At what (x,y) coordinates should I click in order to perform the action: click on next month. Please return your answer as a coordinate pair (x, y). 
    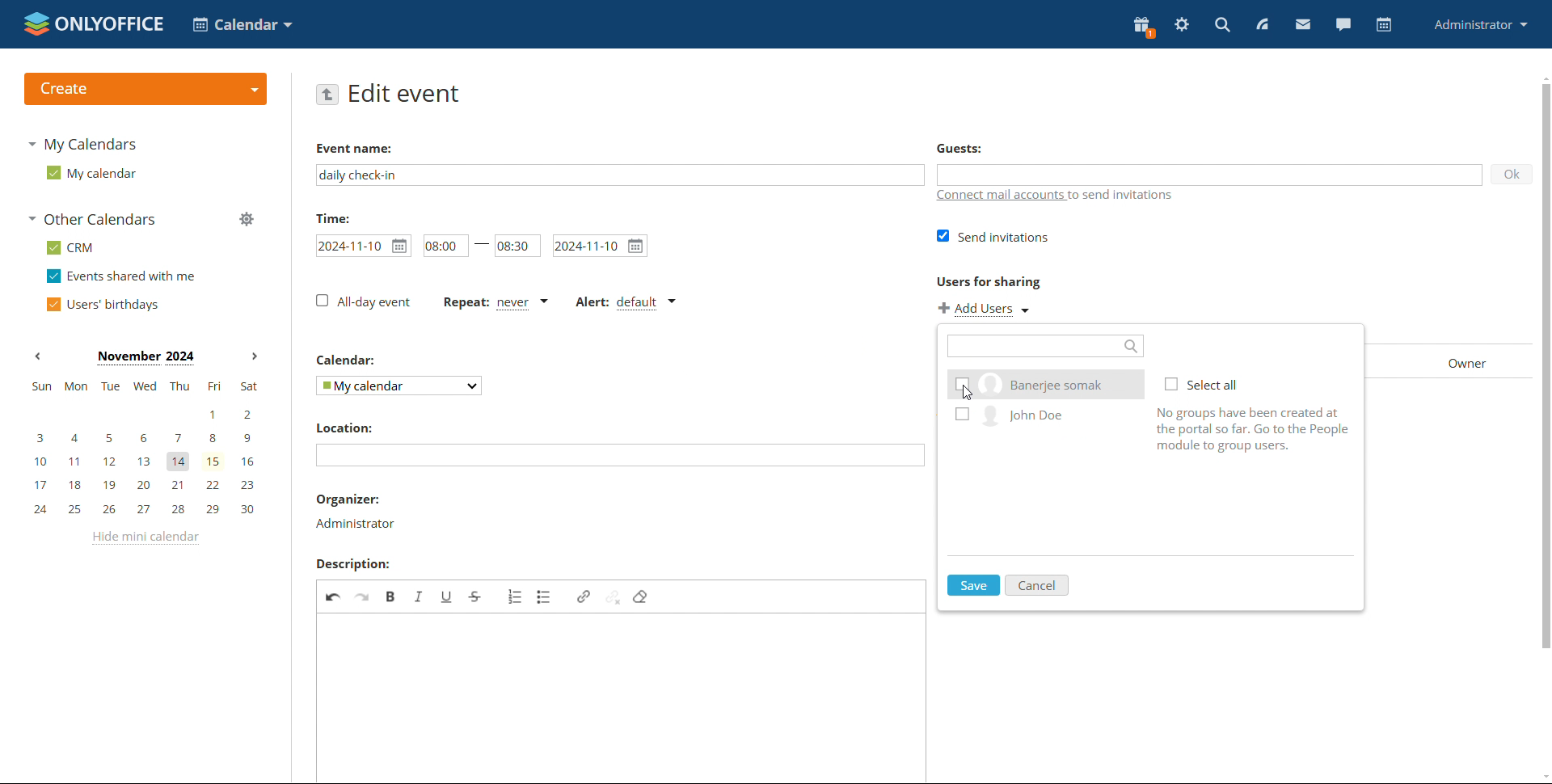
    Looking at the image, I should click on (252, 357).